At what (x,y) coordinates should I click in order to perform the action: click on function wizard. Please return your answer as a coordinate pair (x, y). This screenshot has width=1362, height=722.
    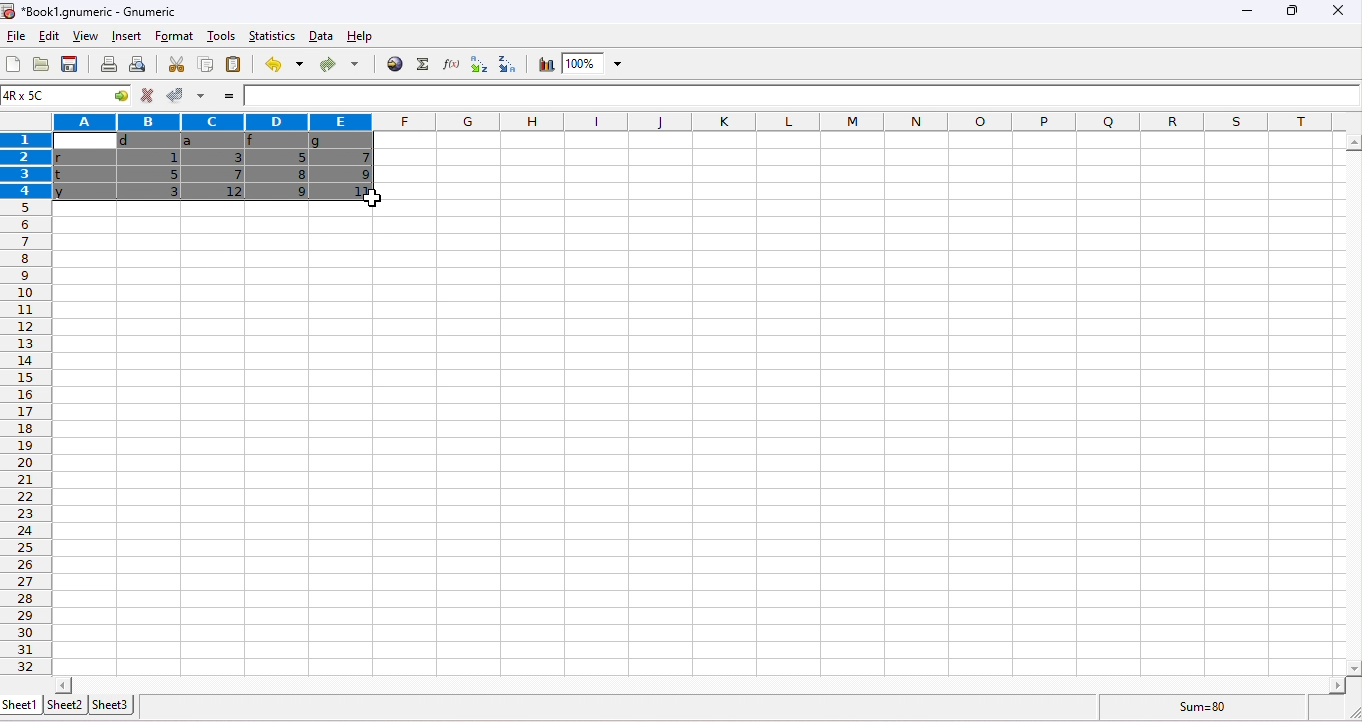
    Looking at the image, I should click on (449, 63).